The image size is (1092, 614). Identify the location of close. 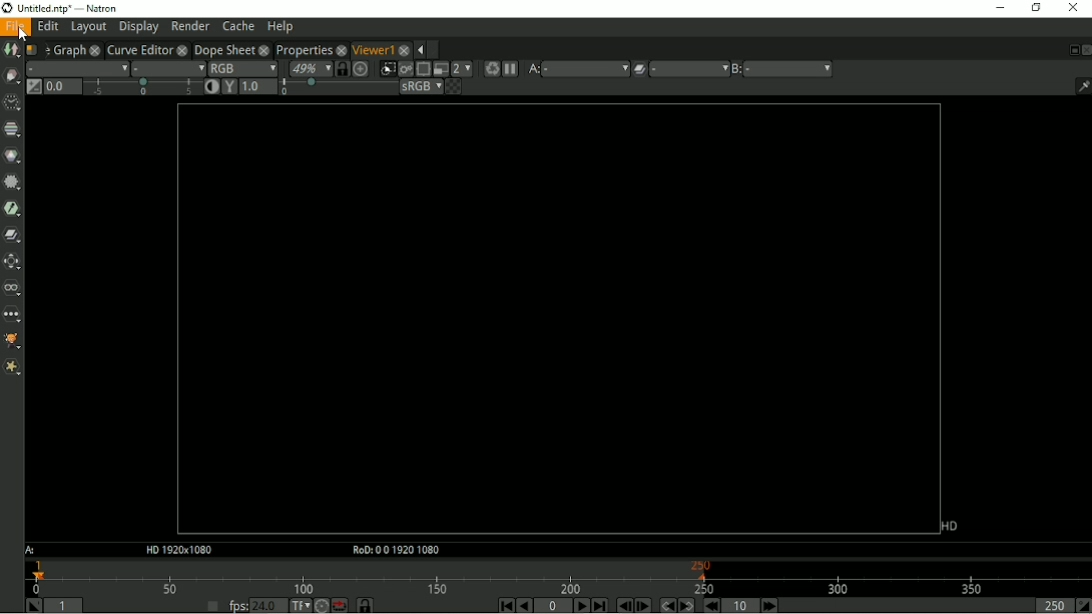
(404, 48).